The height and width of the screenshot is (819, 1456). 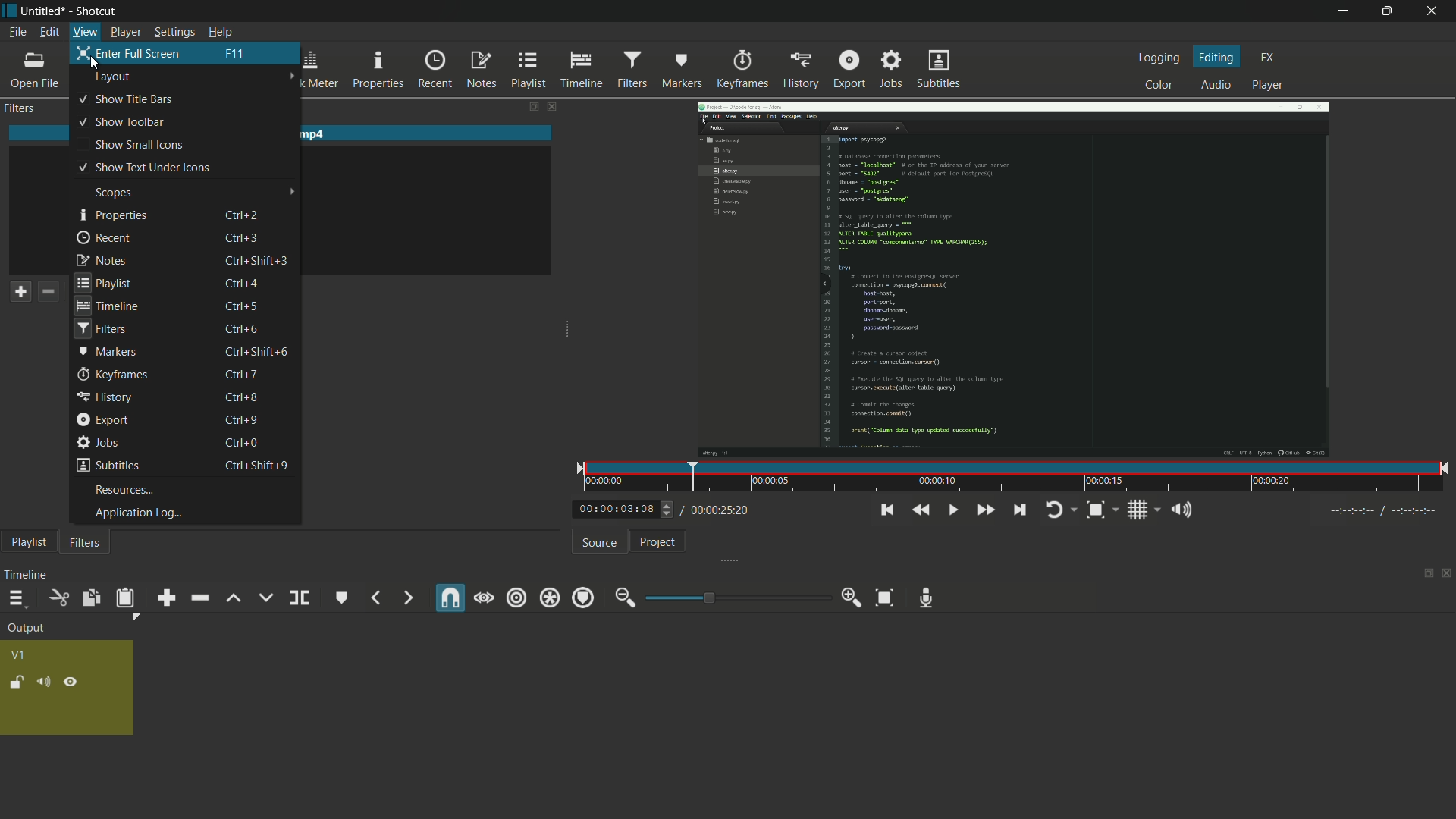 What do you see at coordinates (260, 465) in the screenshot?
I see `Ctrl+Shift+9` at bounding box center [260, 465].